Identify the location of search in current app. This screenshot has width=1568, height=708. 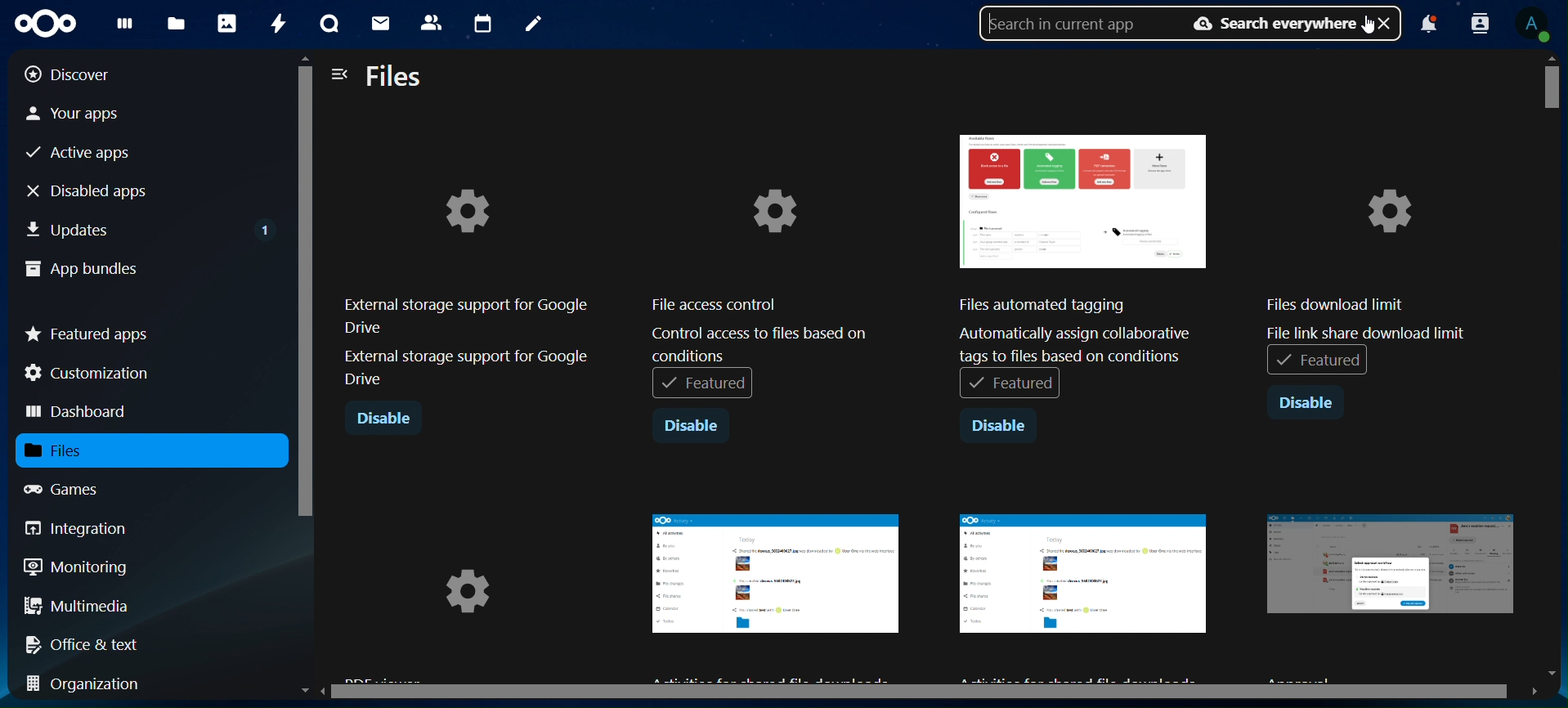
(1060, 23).